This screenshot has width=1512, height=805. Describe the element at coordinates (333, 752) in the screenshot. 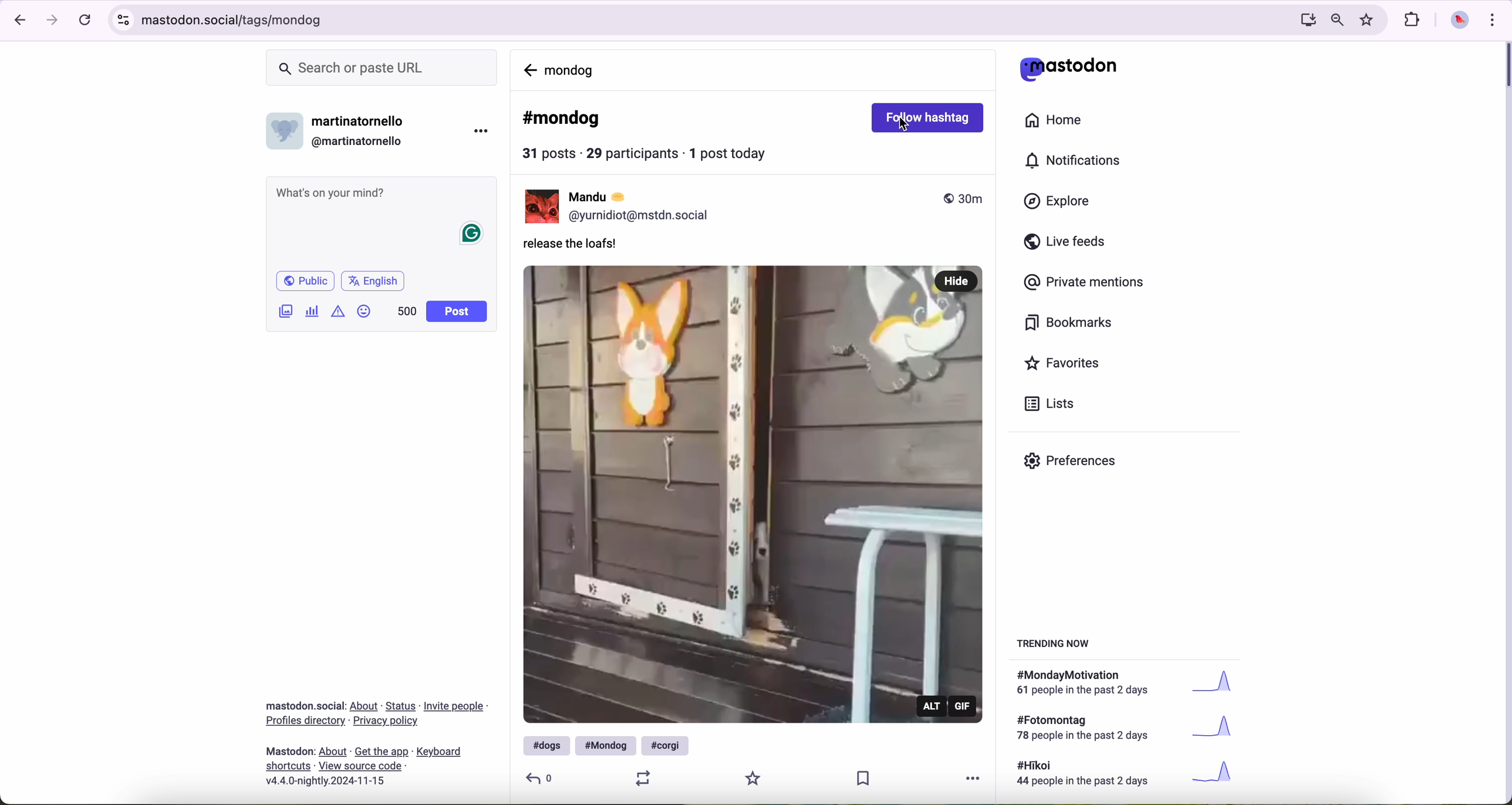

I see `link` at that location.